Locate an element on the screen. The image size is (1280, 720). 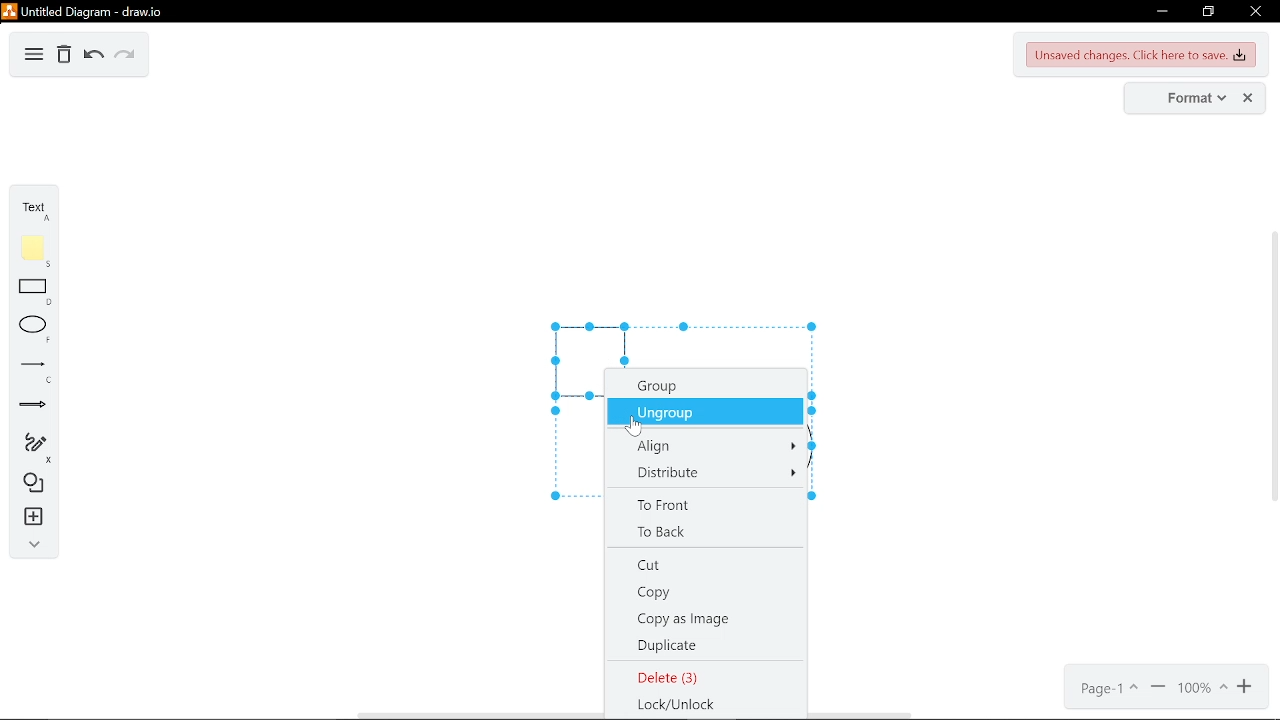
ungroup is located at coordinates (710, 412).